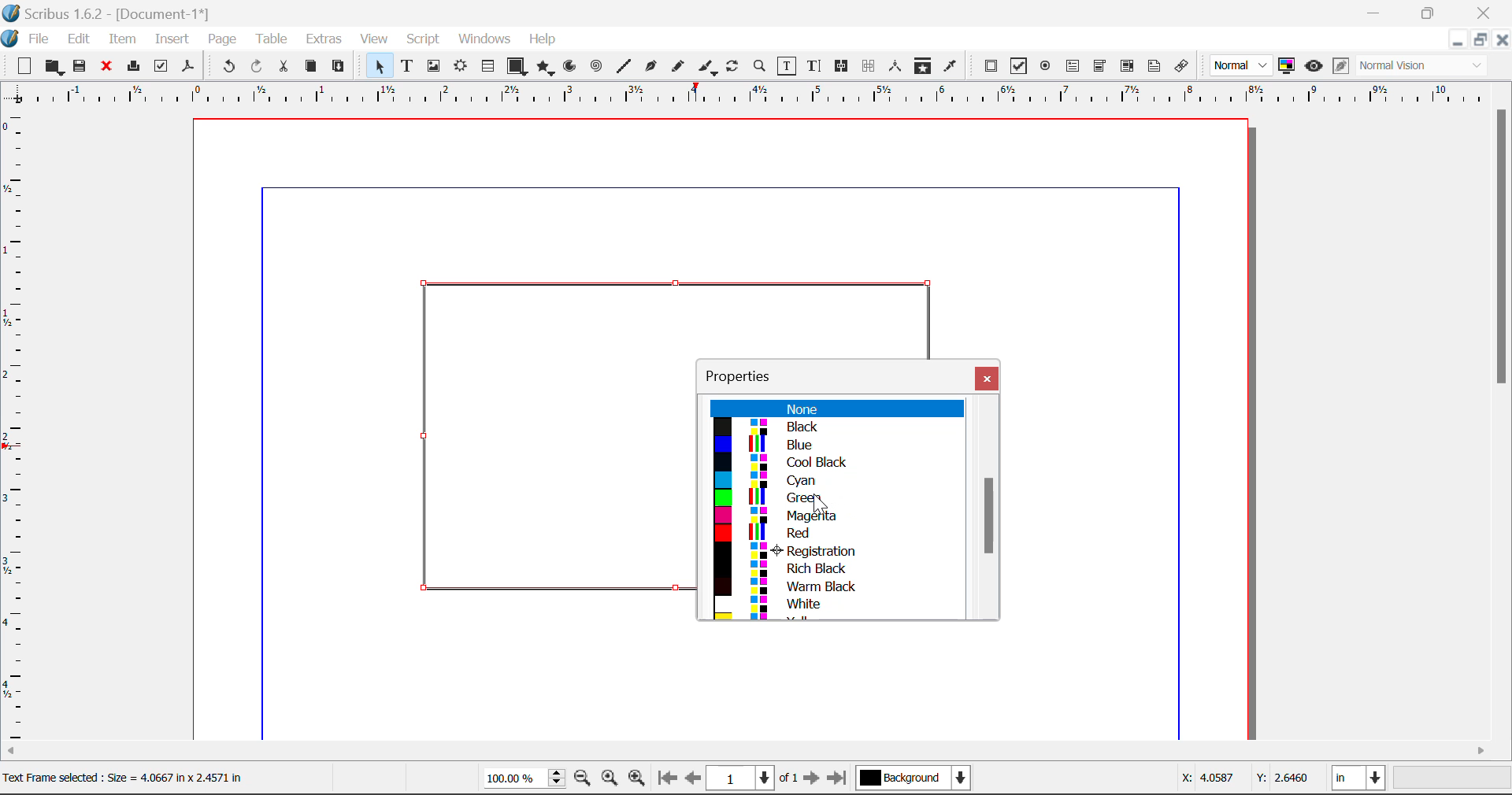 The width and height of the screenshot is (1512, 795). I want to click on Bezier Curve, so click(649, 66).